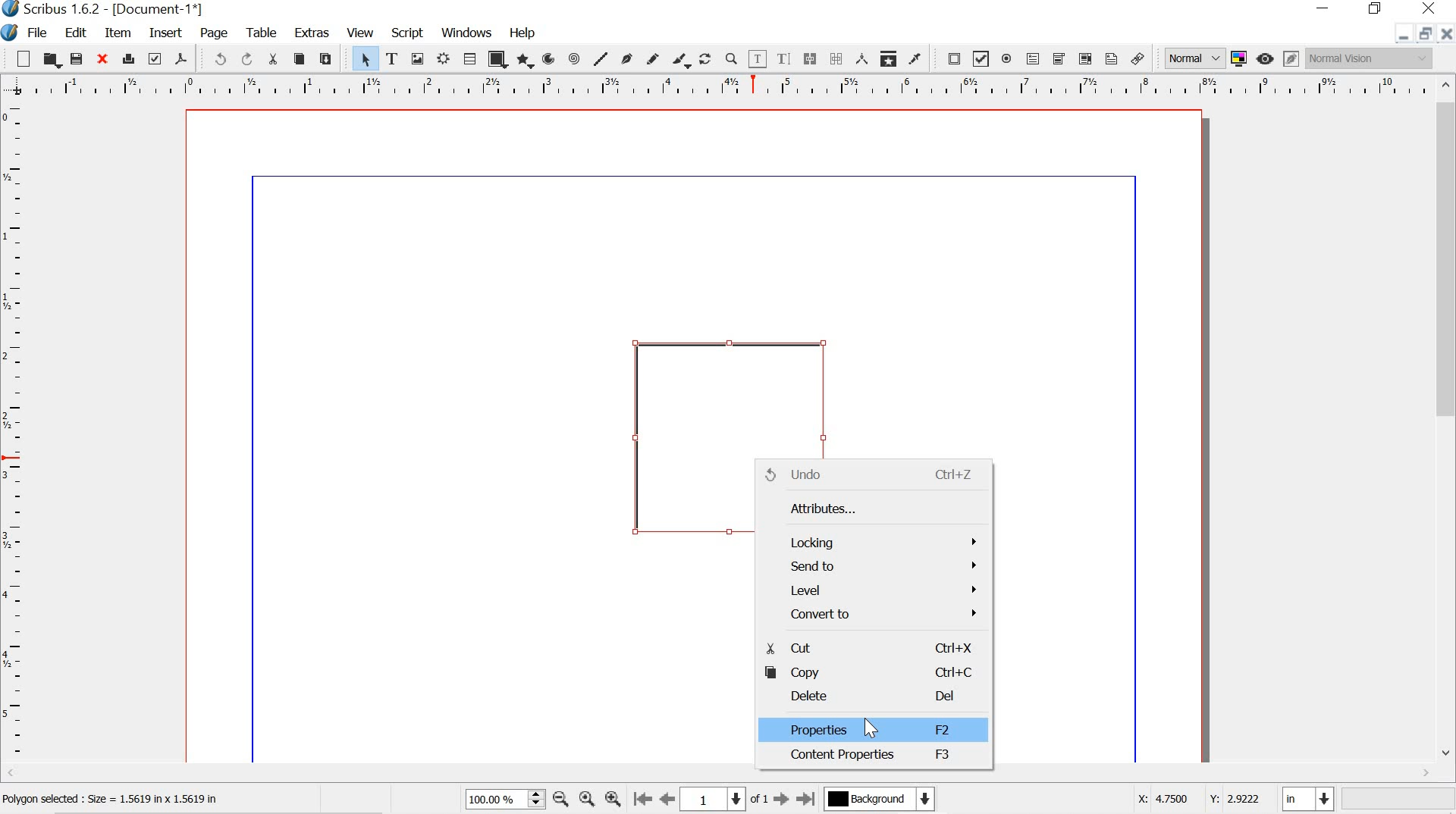 Image resolution: width=1456 pixels, height=814 pixels. I want to click on 1, so click(717, 798).